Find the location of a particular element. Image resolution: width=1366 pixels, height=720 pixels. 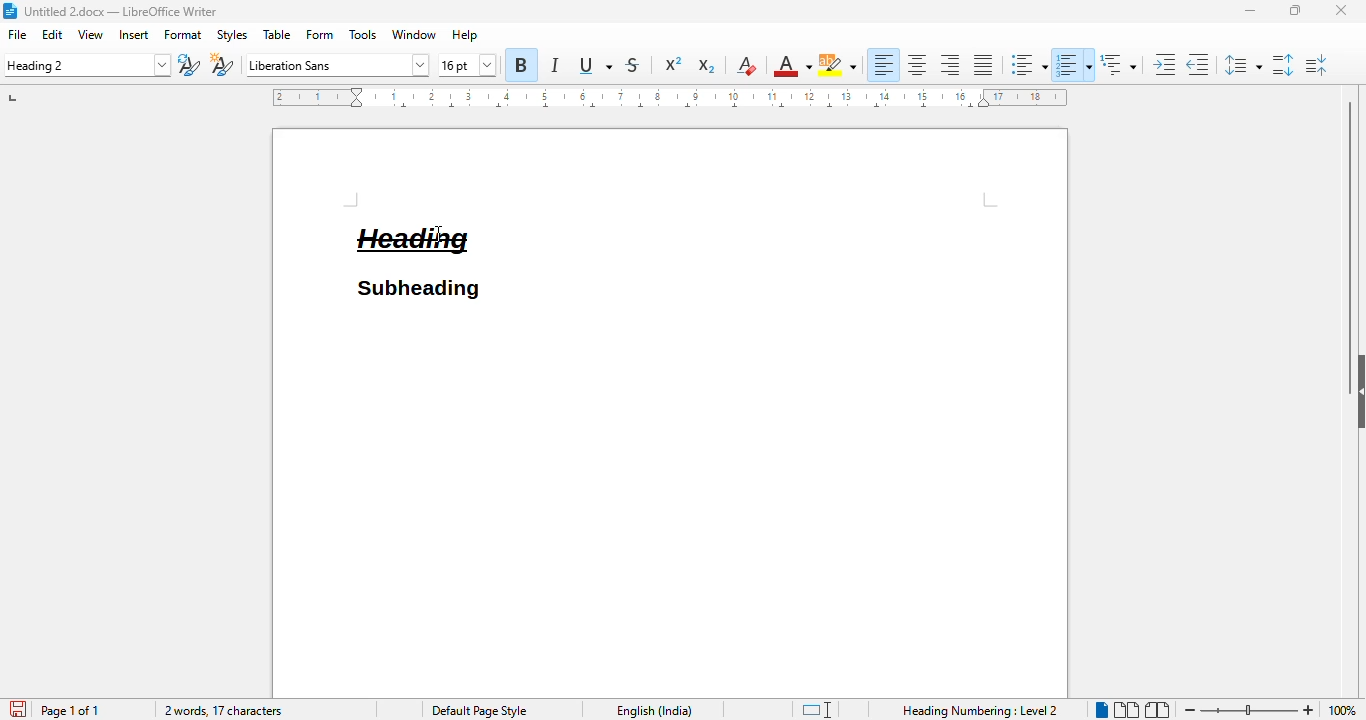

text language is located at coordinates (654, 711).